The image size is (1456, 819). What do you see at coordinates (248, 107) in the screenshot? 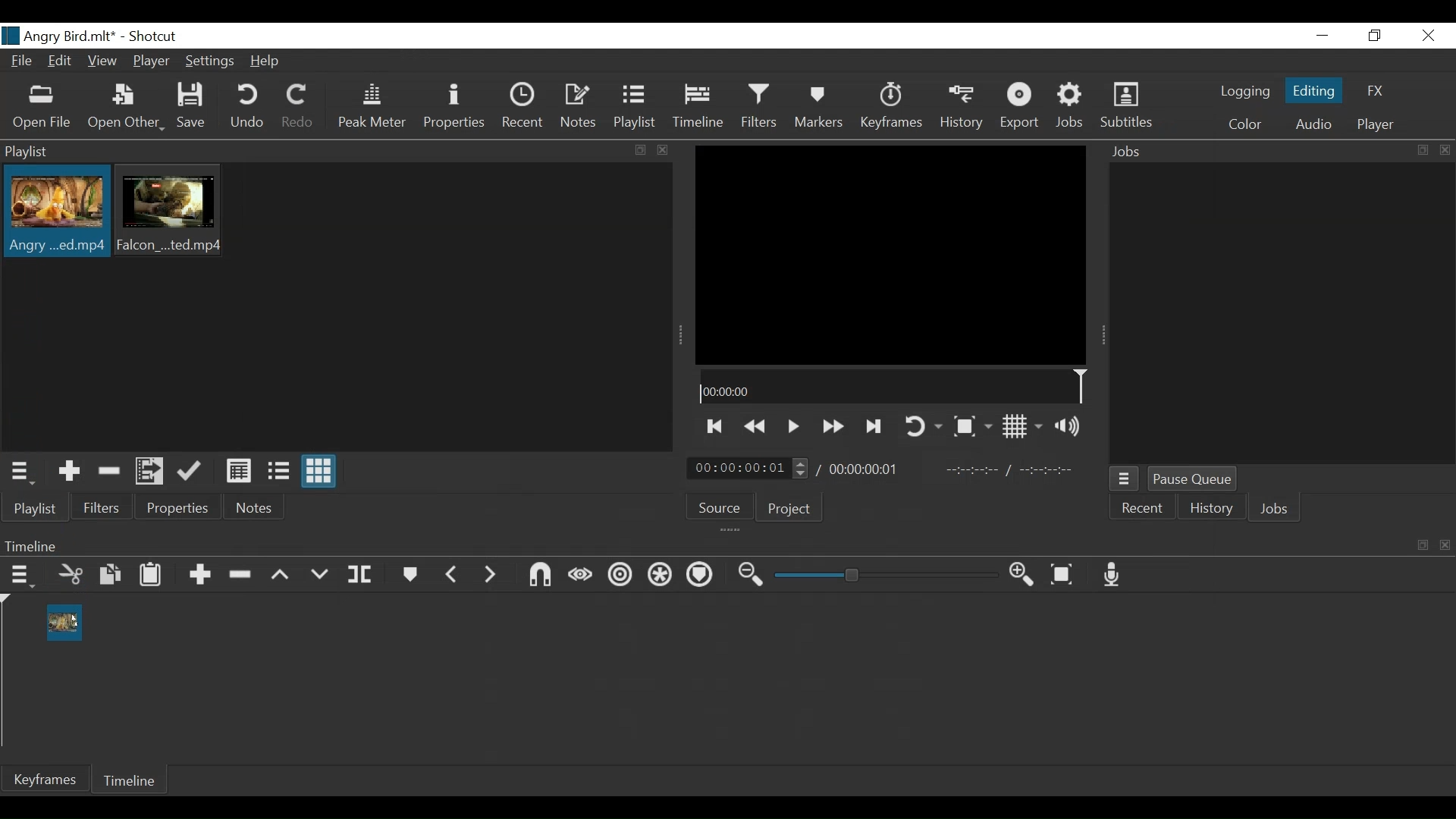
I see `Undo` at bounding box center [248, 107].